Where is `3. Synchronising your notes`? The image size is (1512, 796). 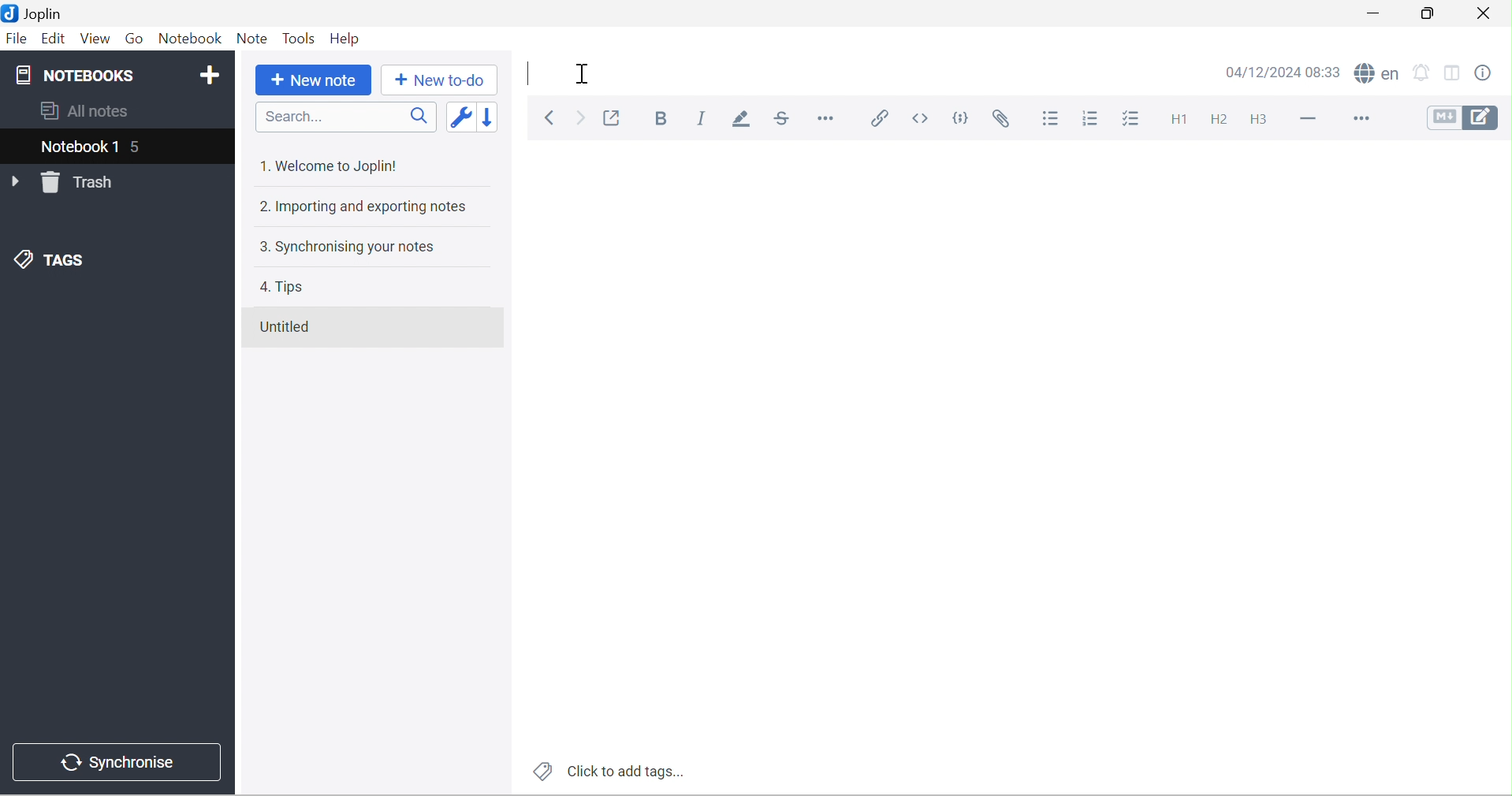 3. Synchronising your notes is located at coordinates (351, 250).